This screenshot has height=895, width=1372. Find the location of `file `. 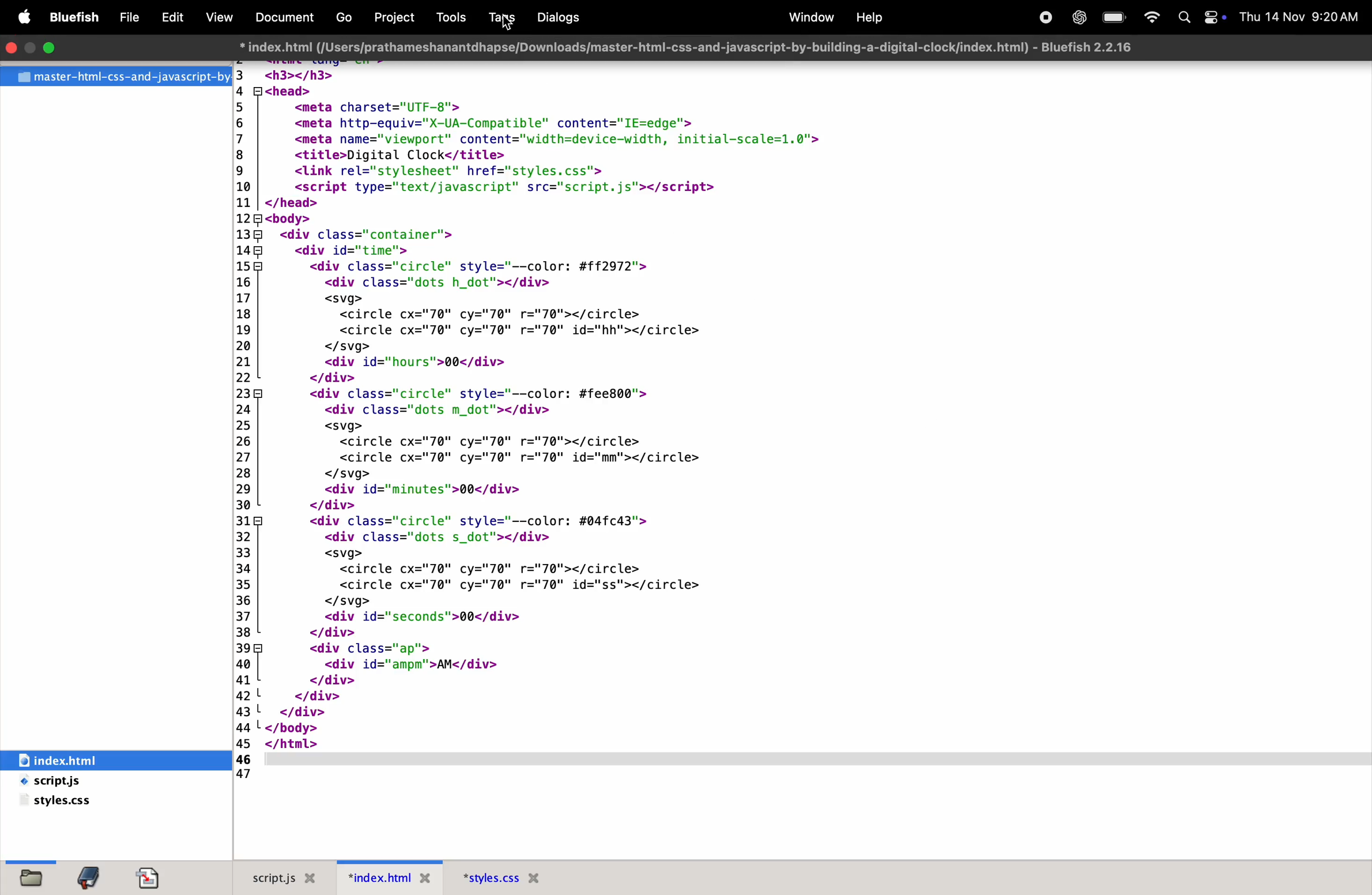

file  is located at coordinates (35, 877).